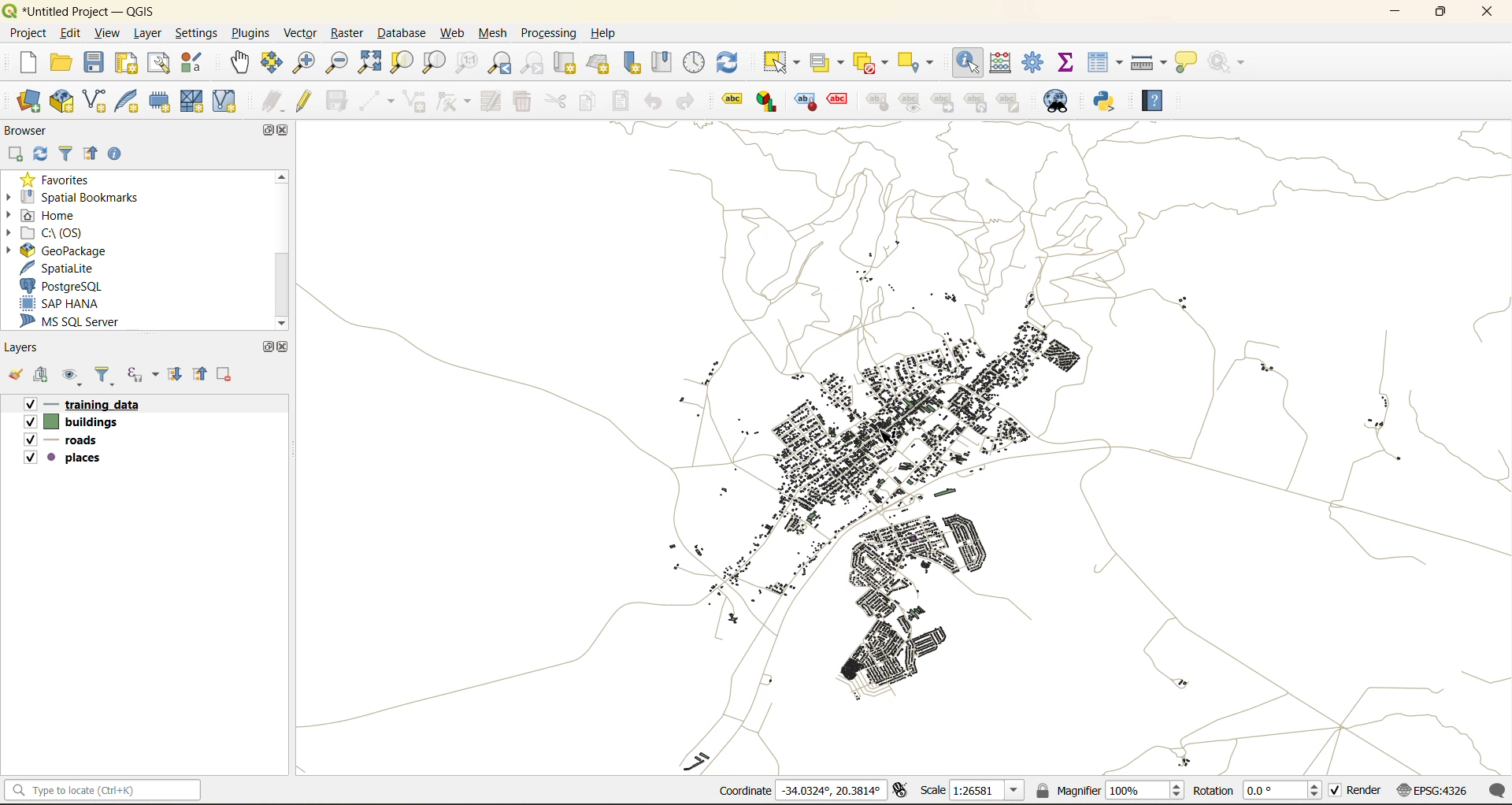 The image size is (1512, 805). What do you see at coordinates (910, 103) in the screenshot?
I see `preview` at bounding box center [910, 103].